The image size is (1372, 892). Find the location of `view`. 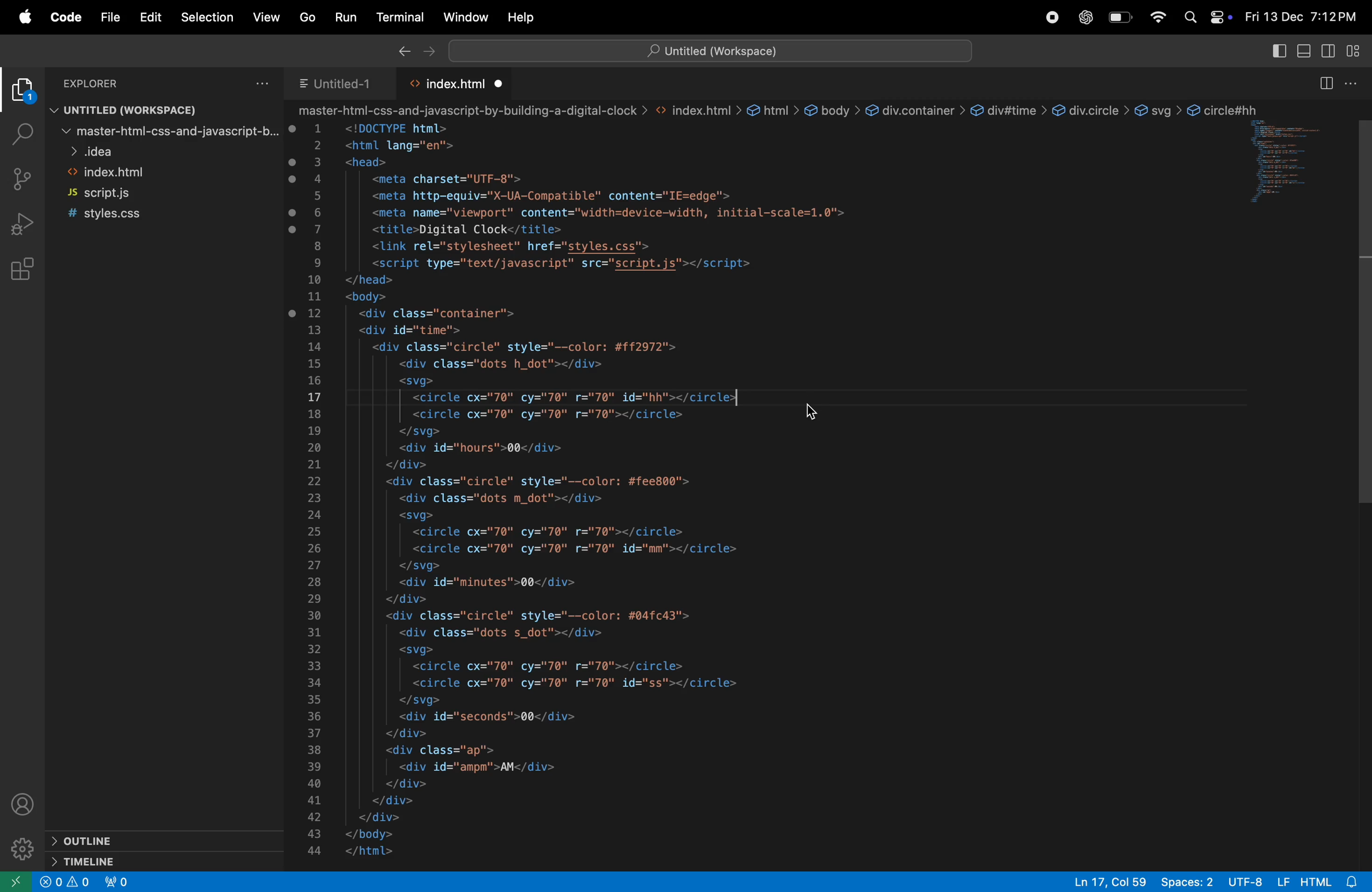

view is located at coordinates (269, 17).